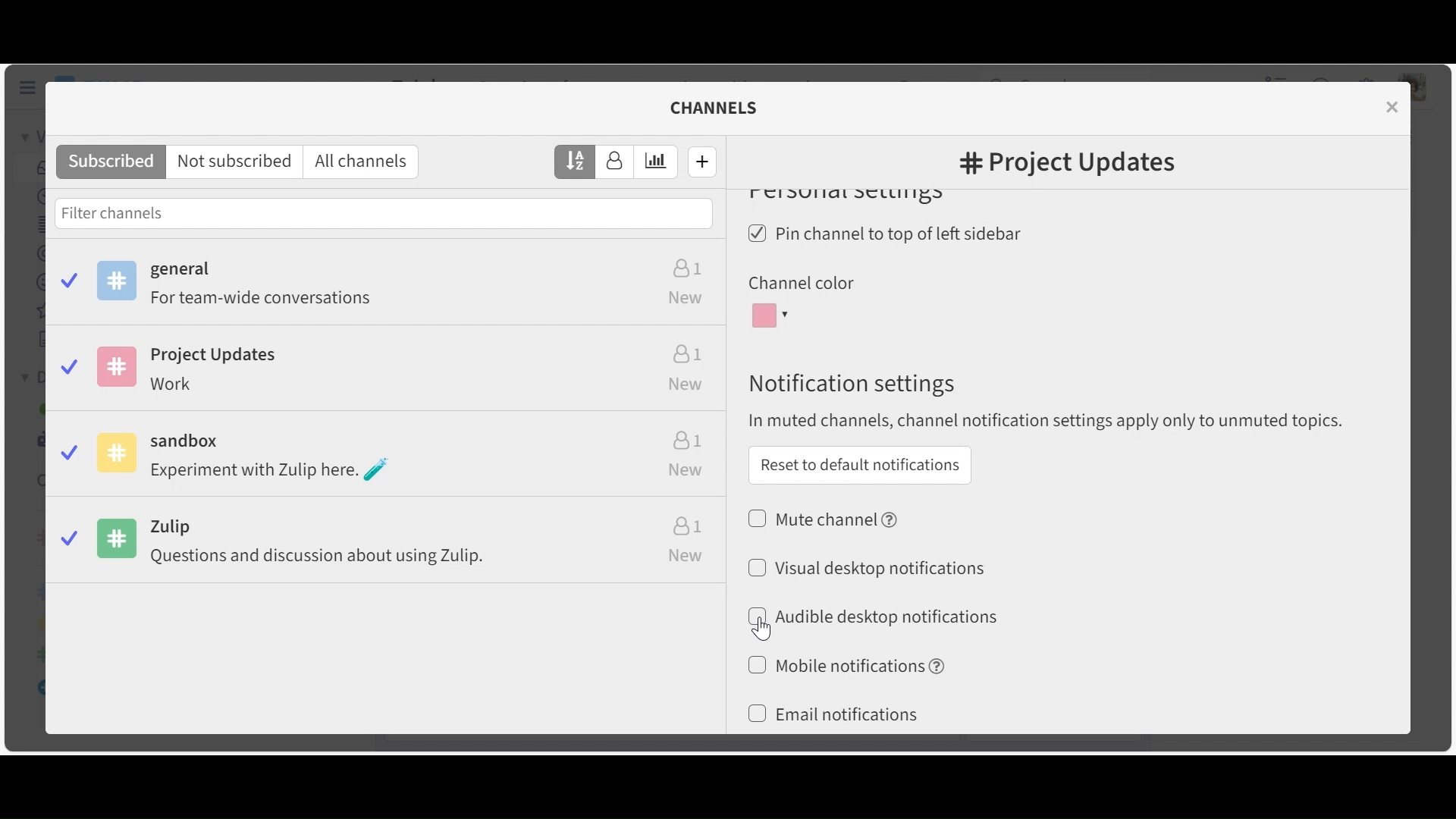 The height and width of the screenshot is (819, 1456). Describe the element at coordinates (884, 617) in the screenshot. I see `Audible desktop notifications` at that location.